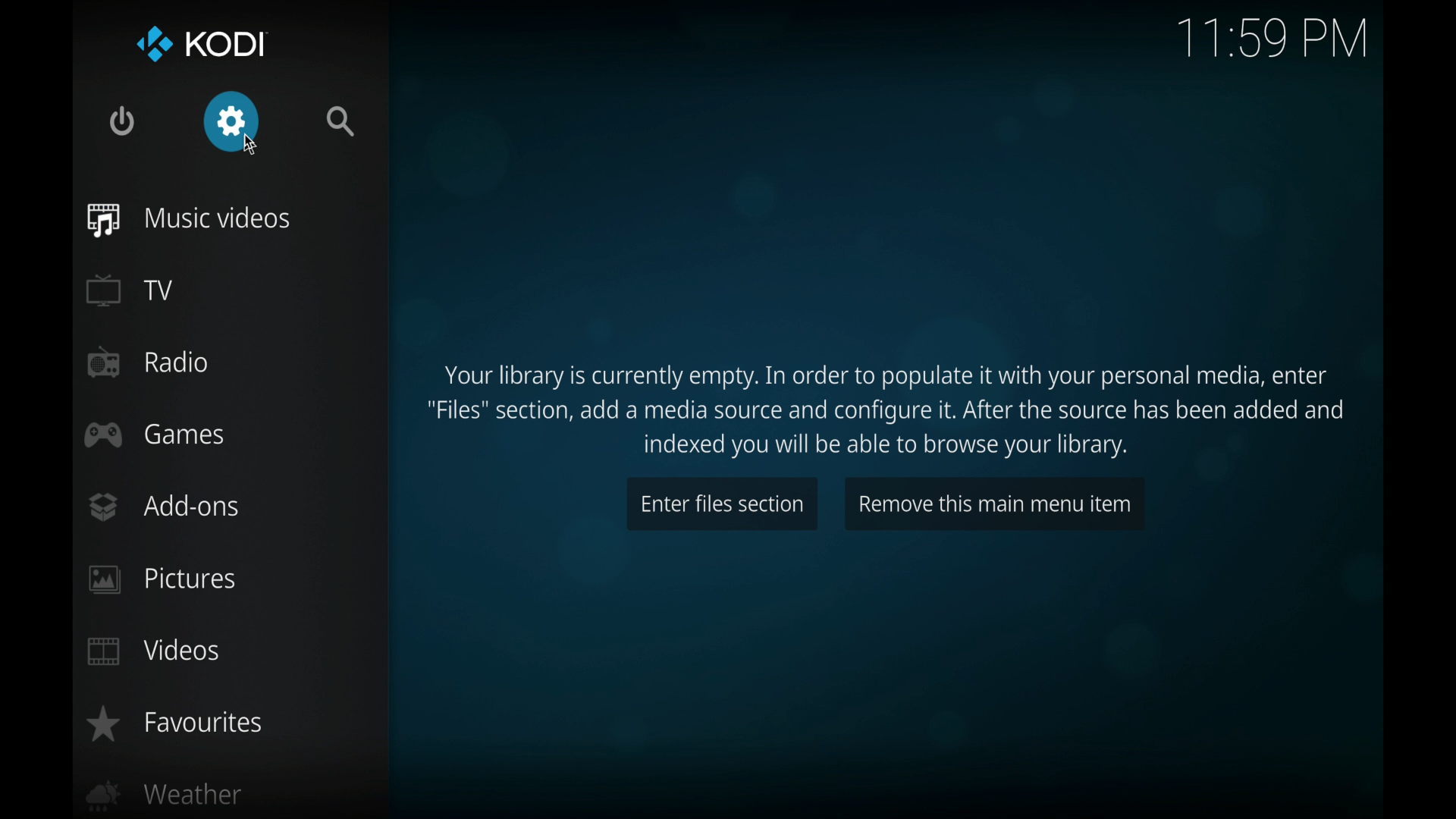  What do you see at coordinates (146, 362) in the screenshot?
I see `radio` at bounding box center [146, 362].